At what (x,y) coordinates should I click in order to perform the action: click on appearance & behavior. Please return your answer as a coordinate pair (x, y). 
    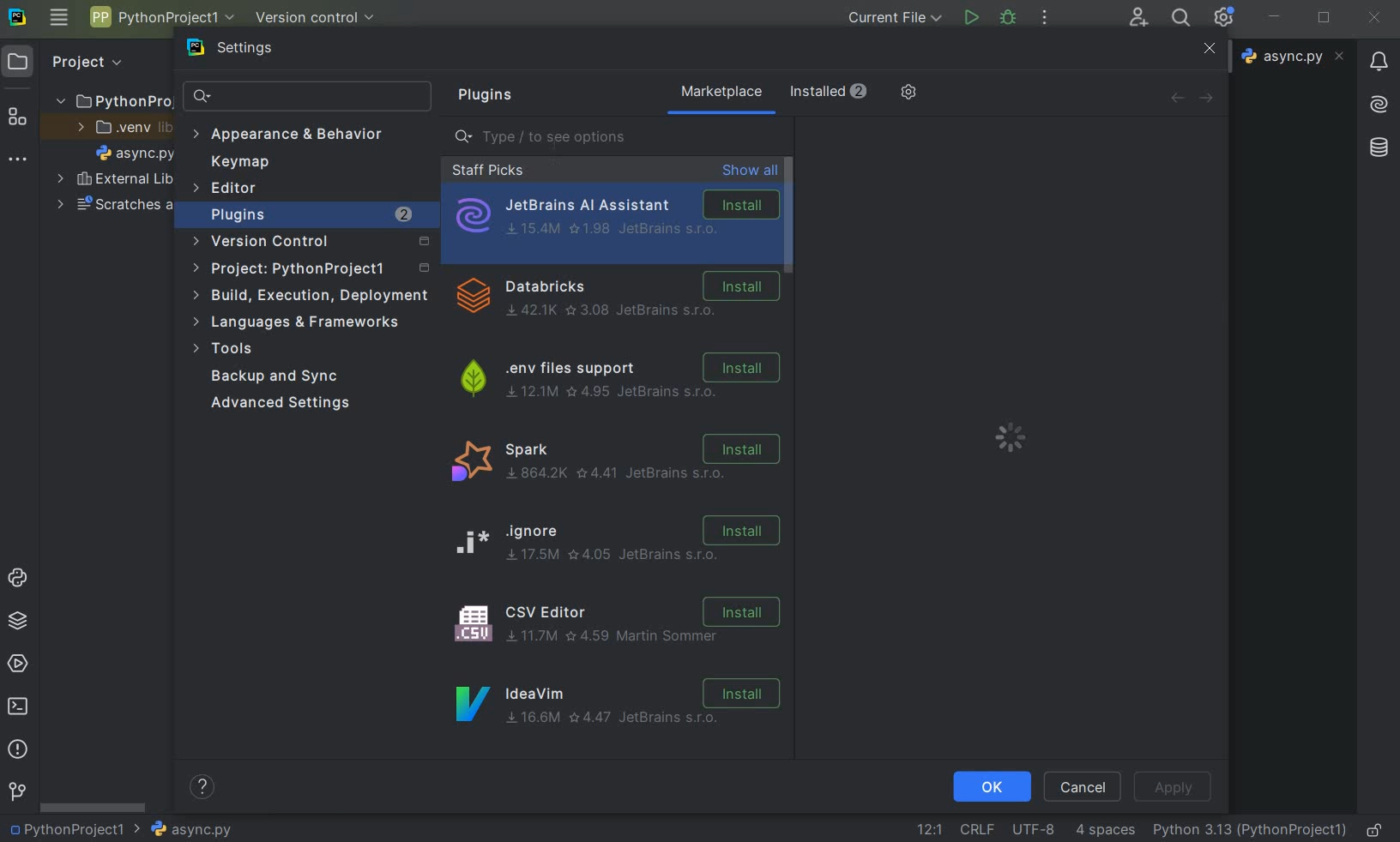
    Looking at the image, I should click on (288, 135).